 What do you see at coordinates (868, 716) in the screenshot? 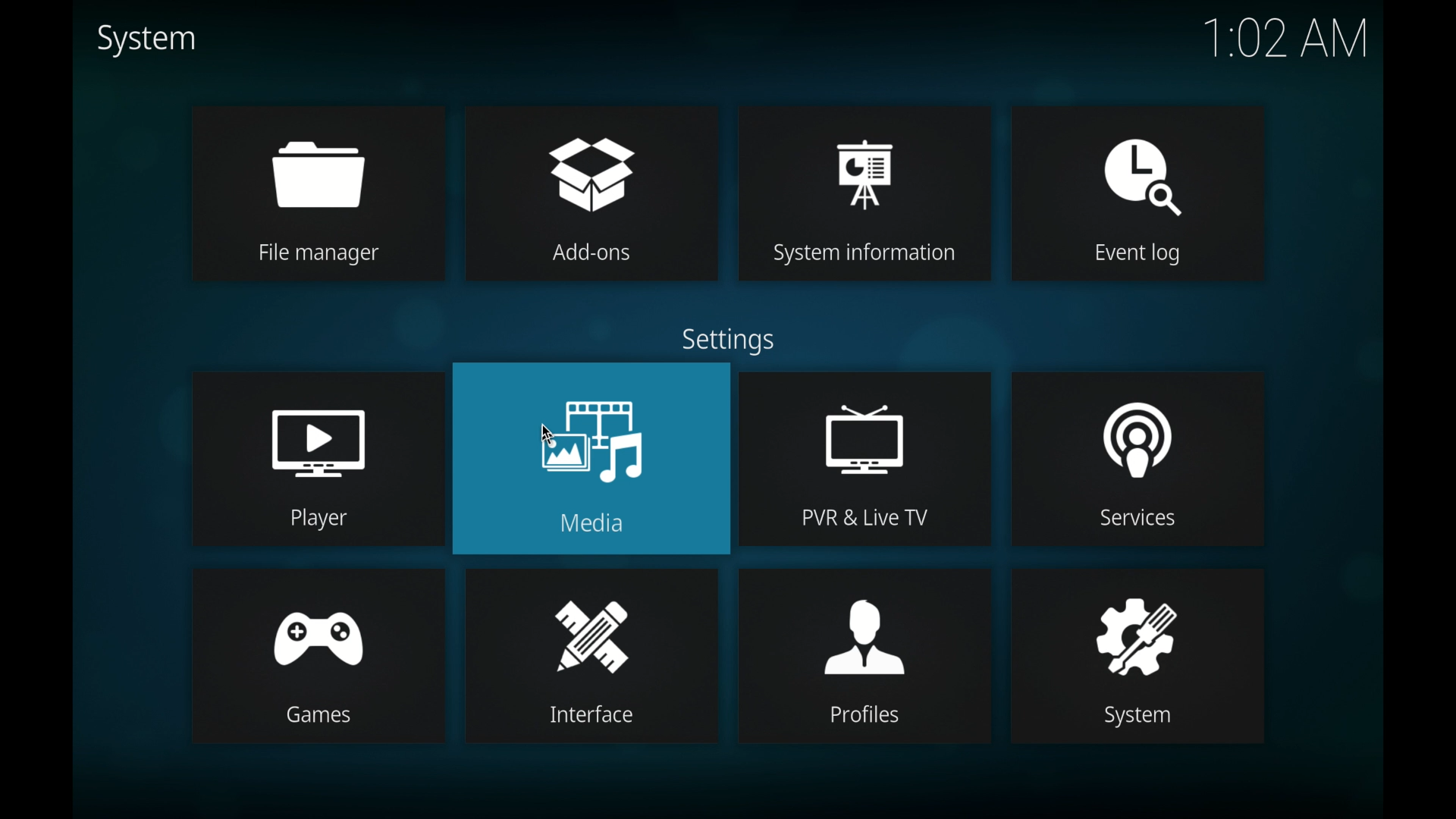
I see `Profiles` at bounding box center [868, 716].